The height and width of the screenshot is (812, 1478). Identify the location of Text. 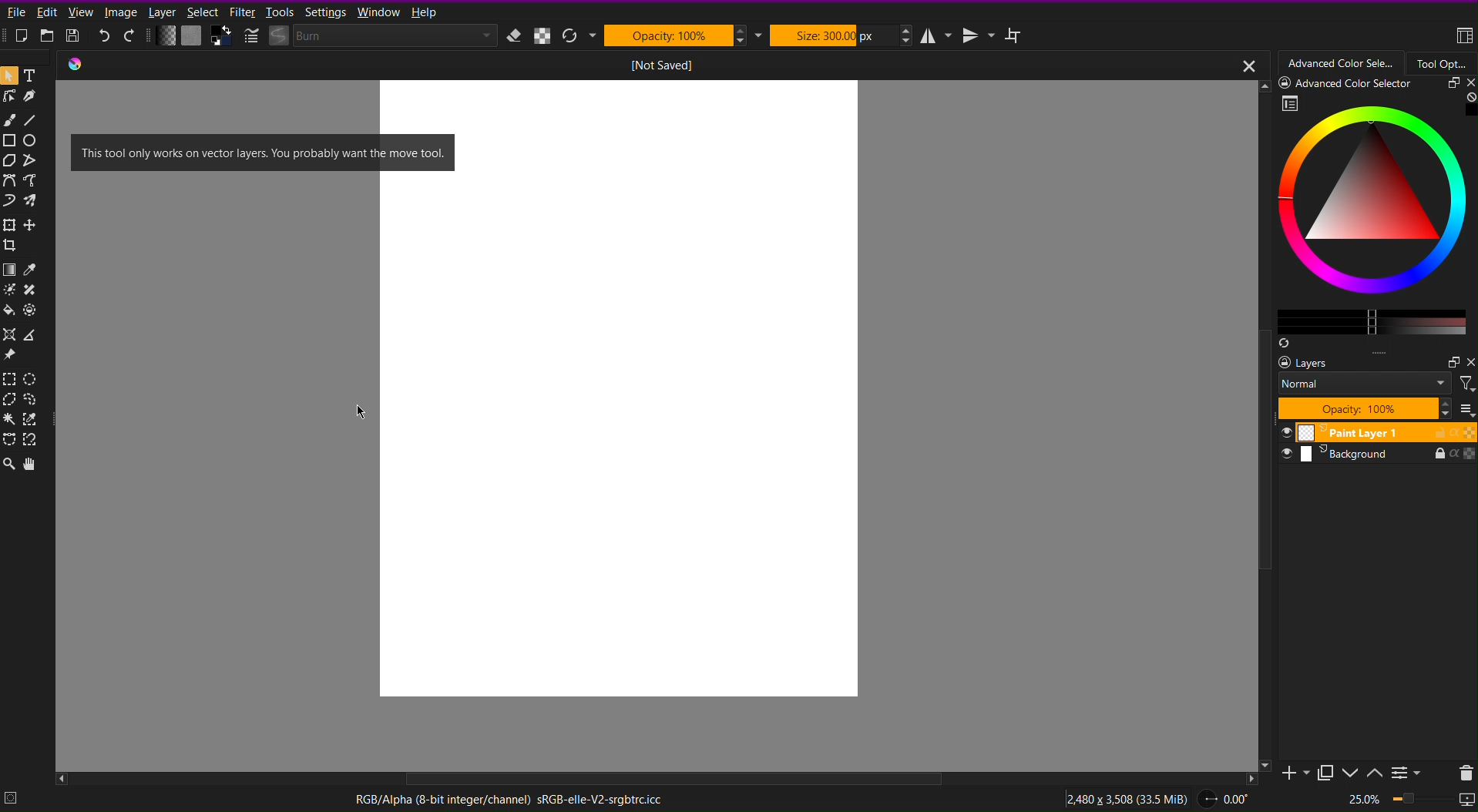
(32, 77).